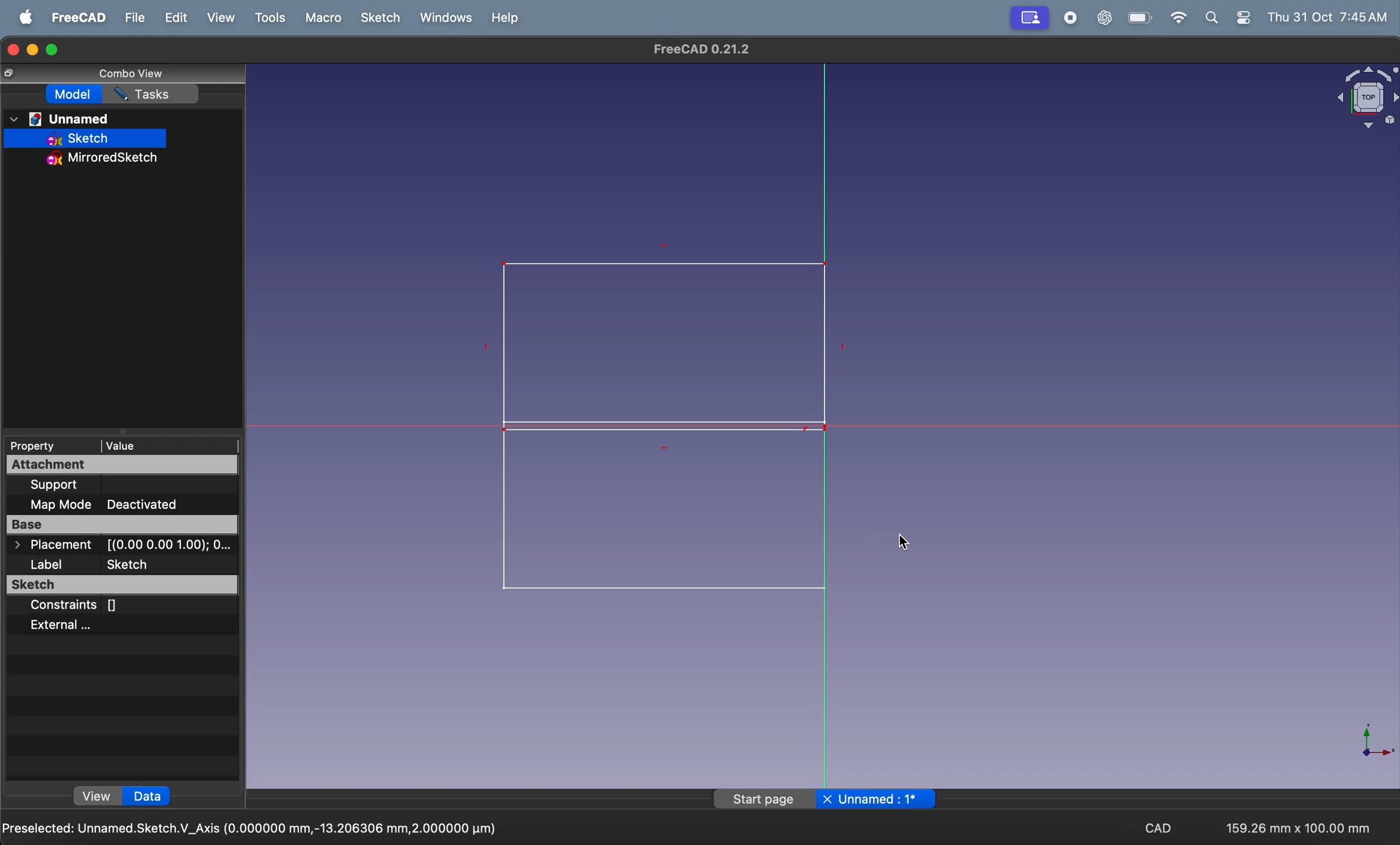 The width and height of the screenshot is (1400, 845). What do you see at coordinates (123, 524) in the screenshot?
I see `base` at bounding box center [123, 524].